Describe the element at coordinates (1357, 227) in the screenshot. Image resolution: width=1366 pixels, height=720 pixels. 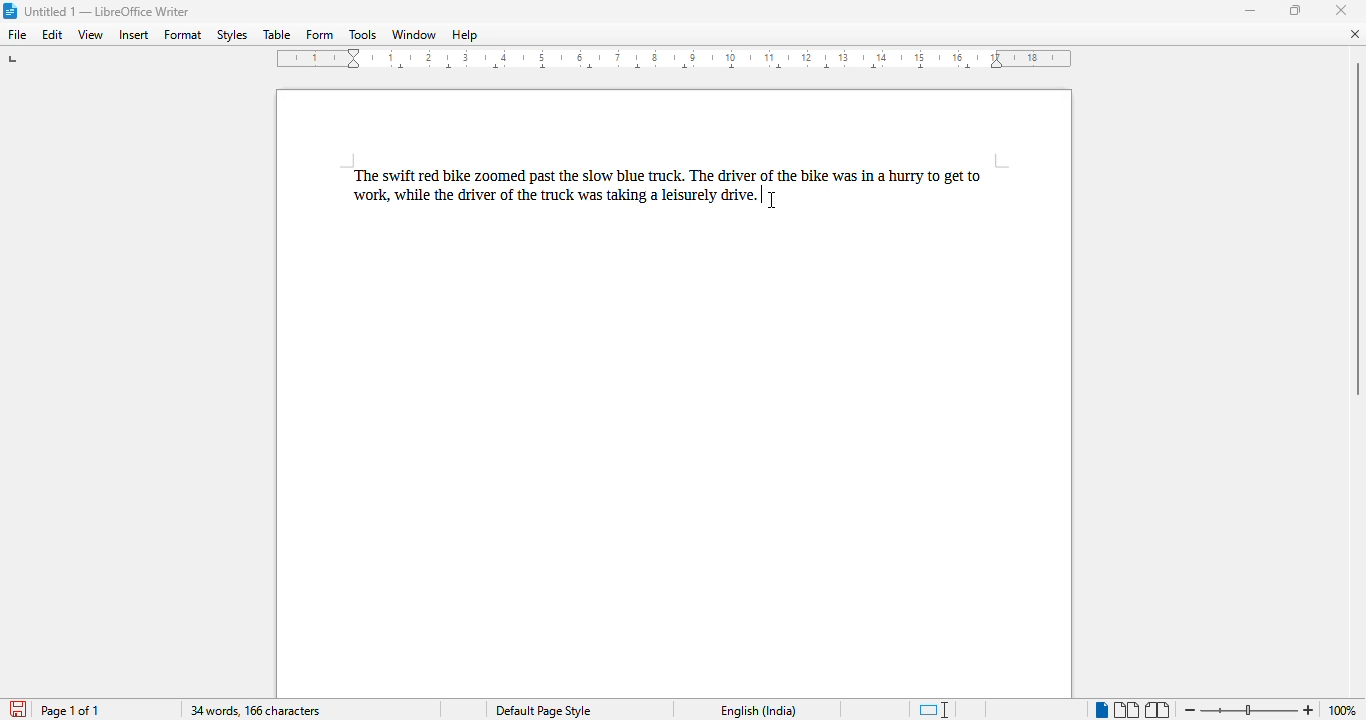
I see `Vertical scroll bar` at that location.